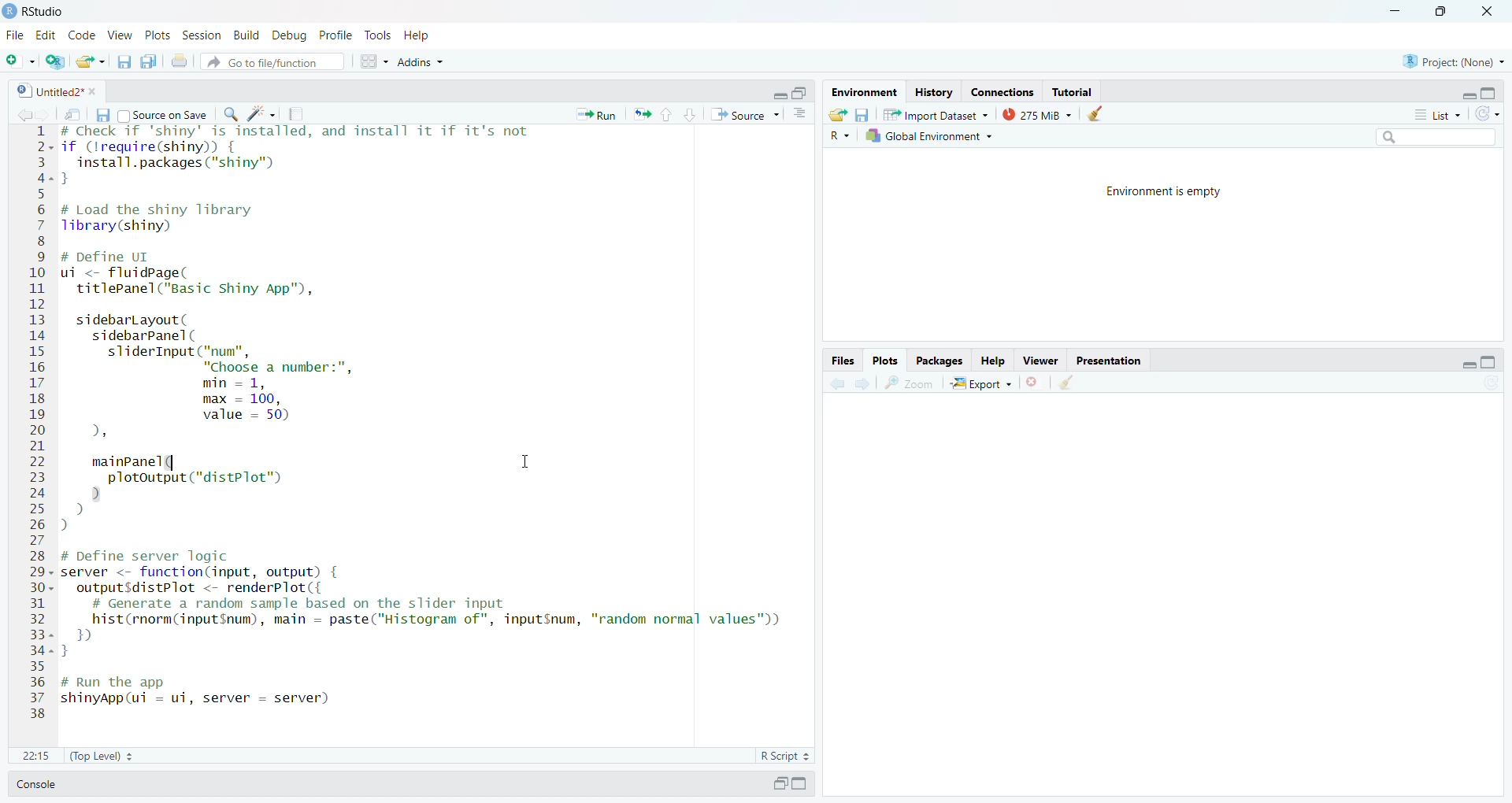 This screenshot has height=803, width=1512. I want to click on Presentation, so click(1106, 361).